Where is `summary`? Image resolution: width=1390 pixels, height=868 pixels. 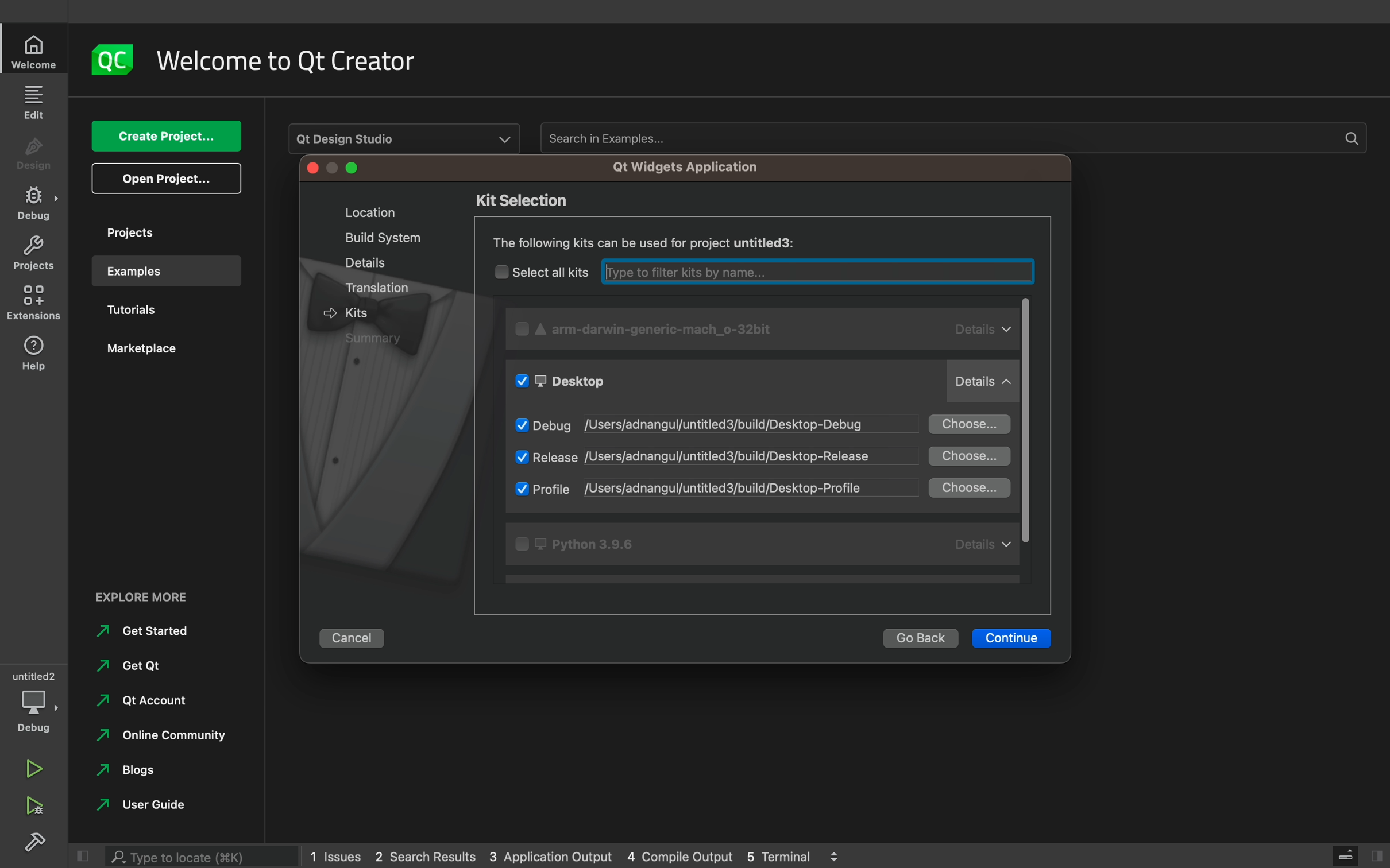 summary is located at coordinates (381, 339).